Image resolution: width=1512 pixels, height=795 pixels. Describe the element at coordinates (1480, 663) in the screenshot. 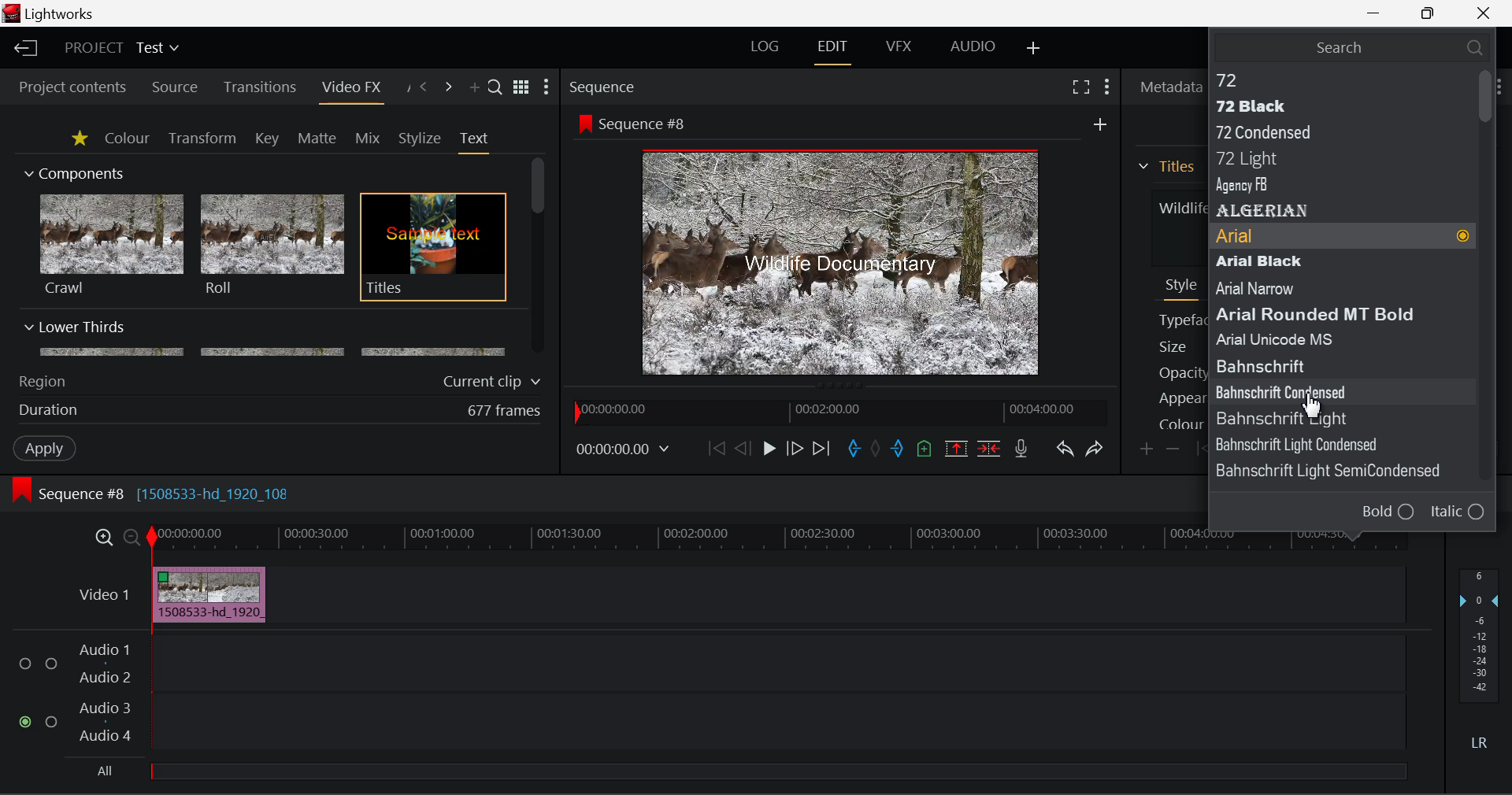

I see `Decibel Level` at that location.